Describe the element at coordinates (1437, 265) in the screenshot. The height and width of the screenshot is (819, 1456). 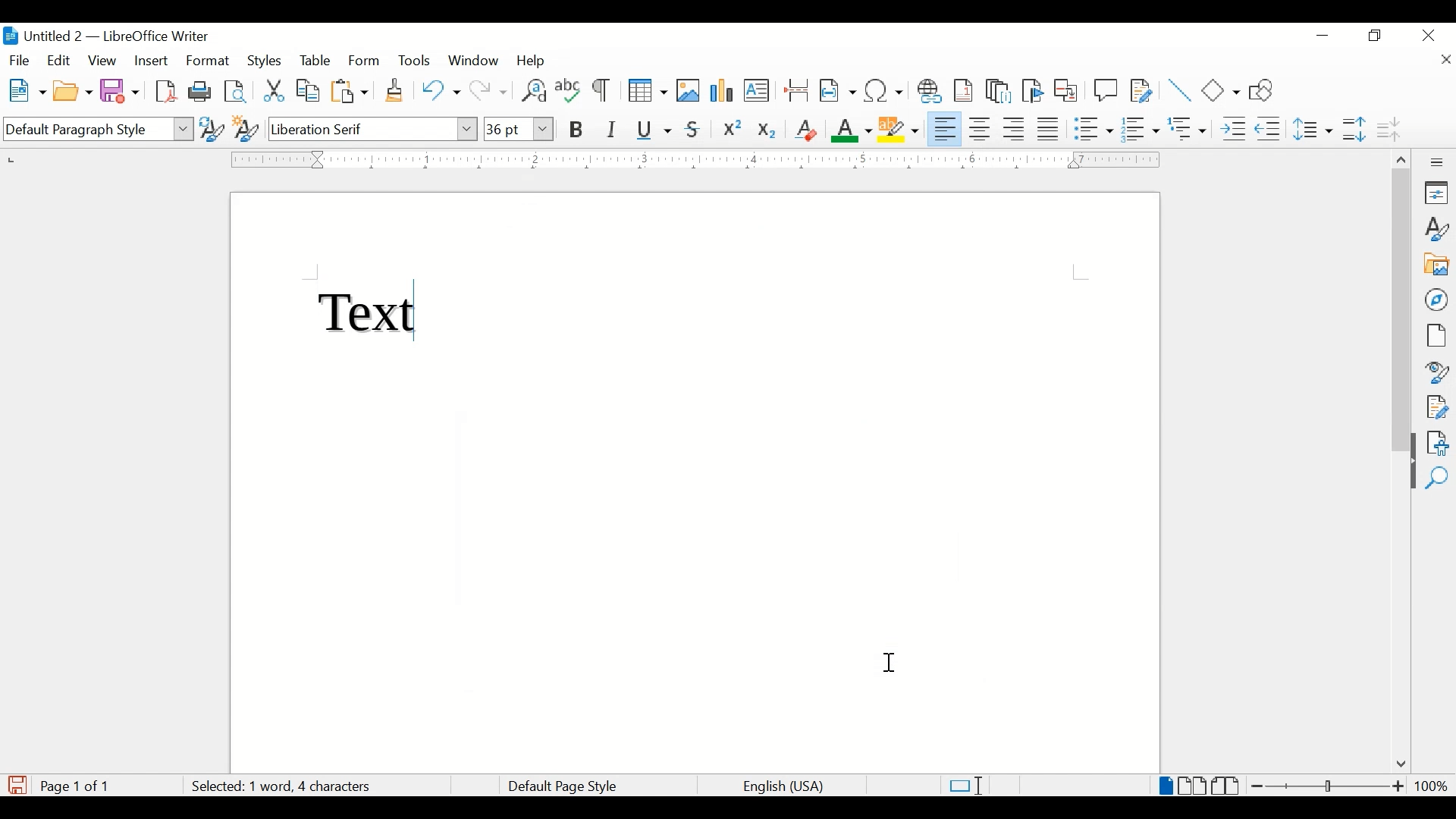
I see `gallery` at that location.